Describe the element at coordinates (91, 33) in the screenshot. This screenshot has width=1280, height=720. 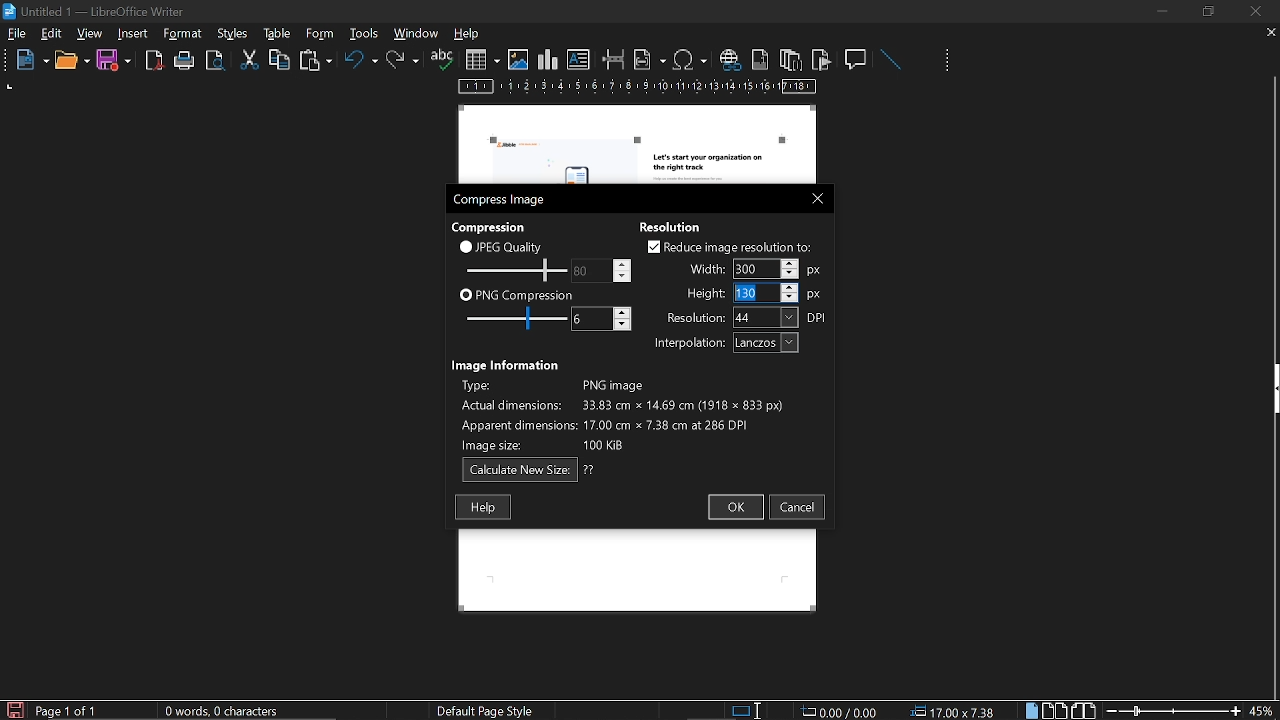
I see `view` at that location.